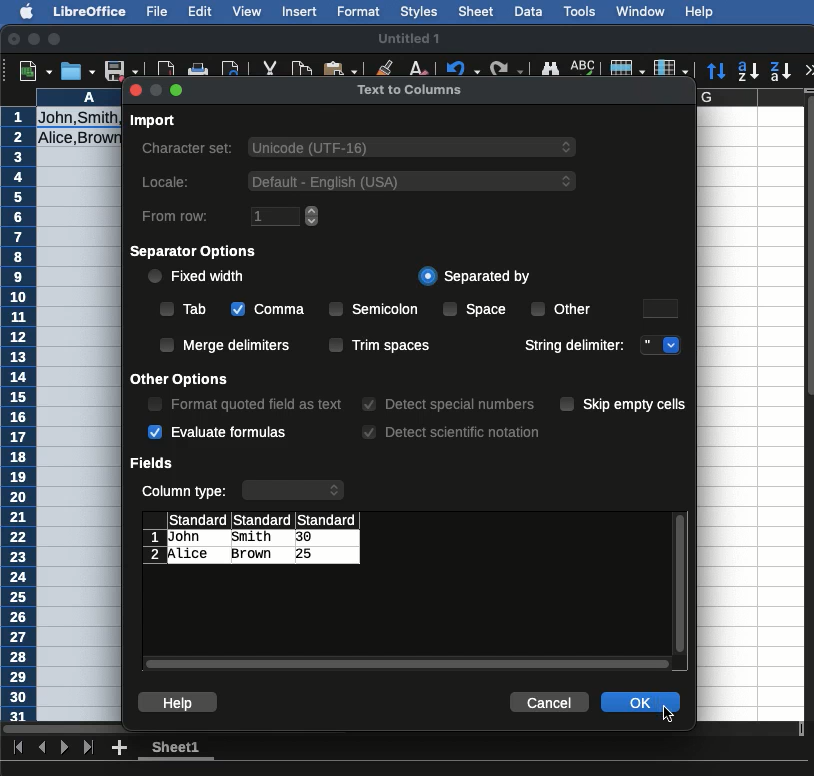 The height and width of the screenshot is (776, 814). What do you see at coordinates (219, 432) in the screenshot?
I see `Evaluate formulas` at bounding box center [219, 432].